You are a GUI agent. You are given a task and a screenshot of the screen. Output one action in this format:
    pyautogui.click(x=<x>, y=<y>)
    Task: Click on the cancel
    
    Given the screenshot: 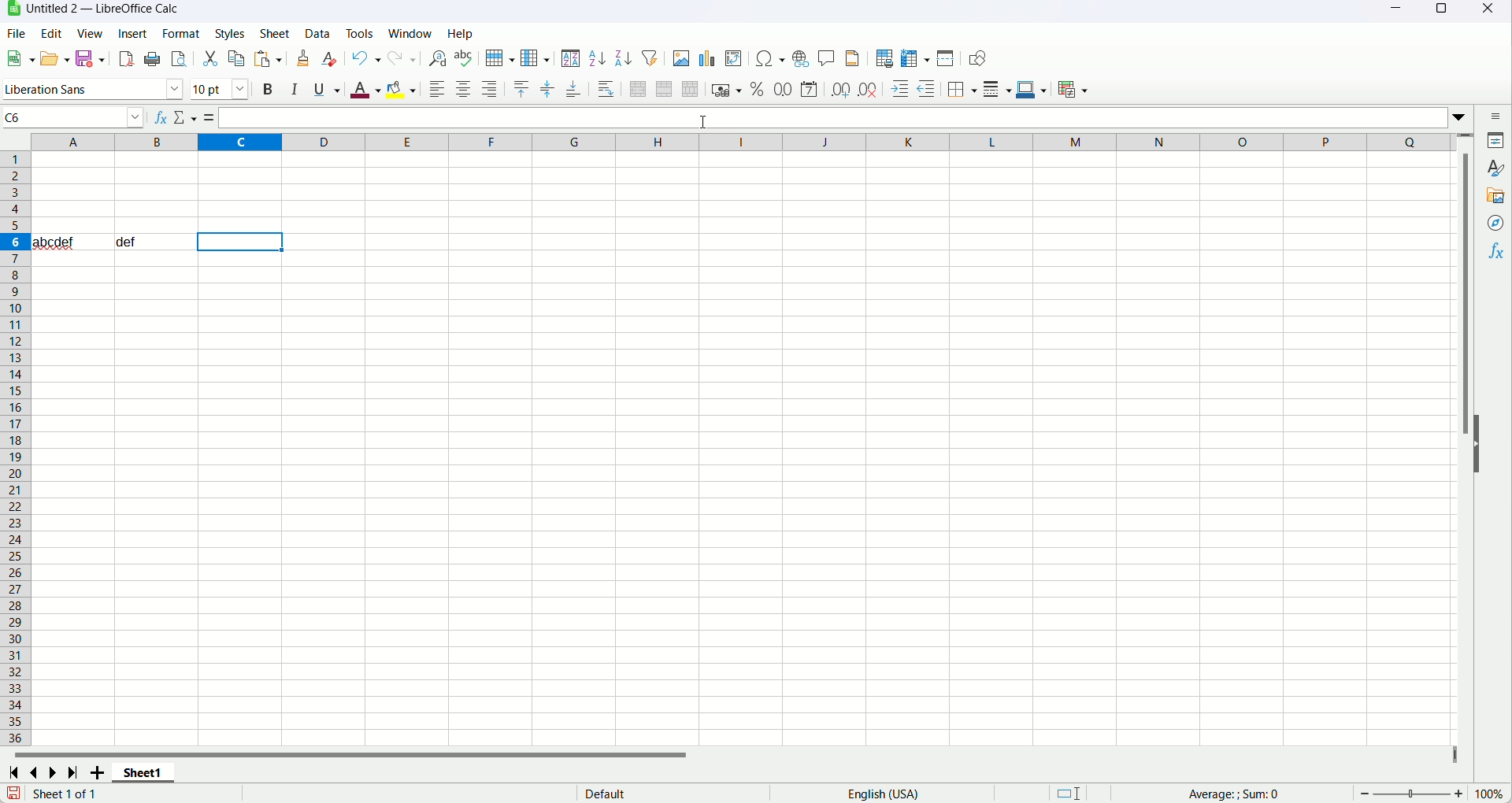 What is the action you would take?
    pyautogui.click(x=183, y=117)
    